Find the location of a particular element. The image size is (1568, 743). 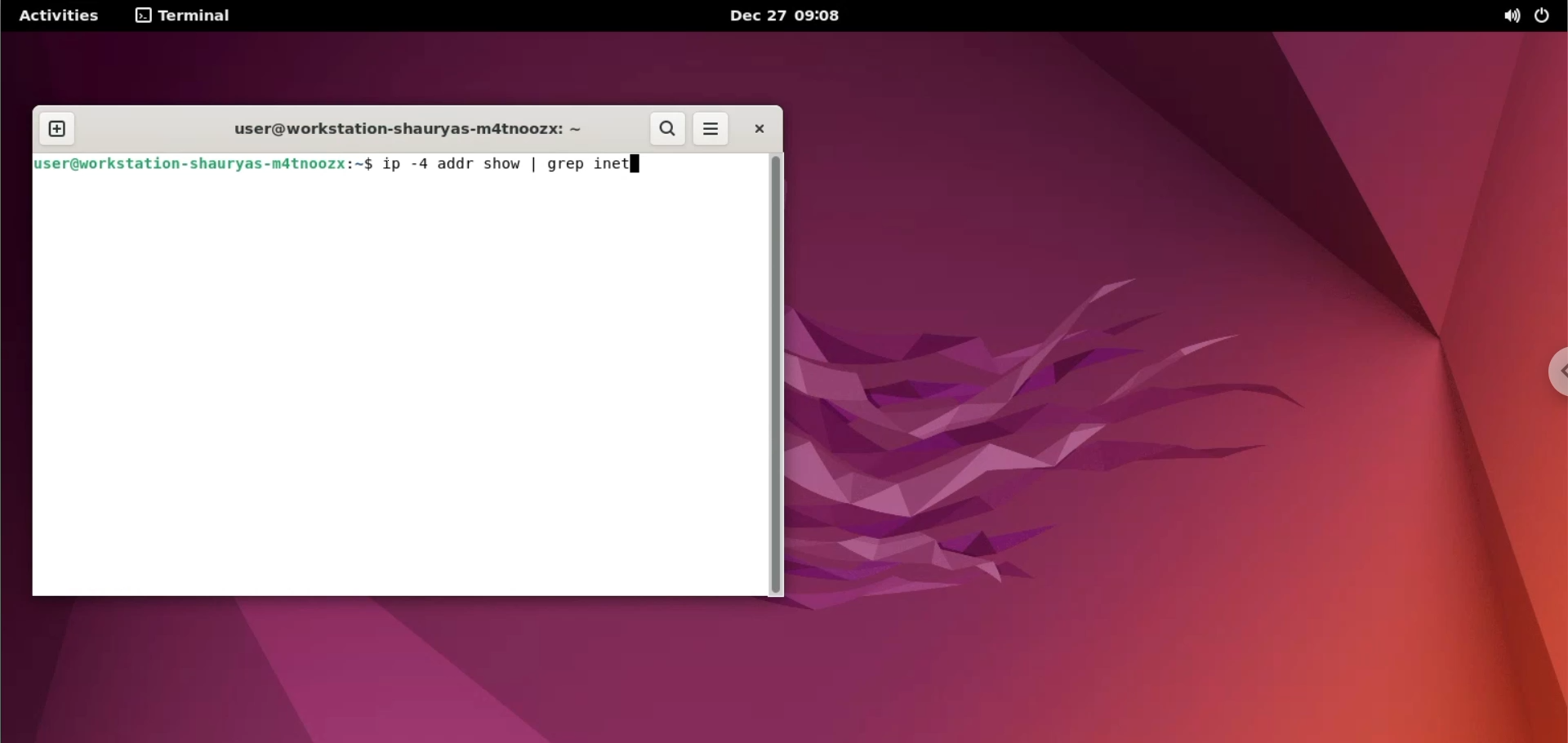

more options is located at coordinates (710, 128).